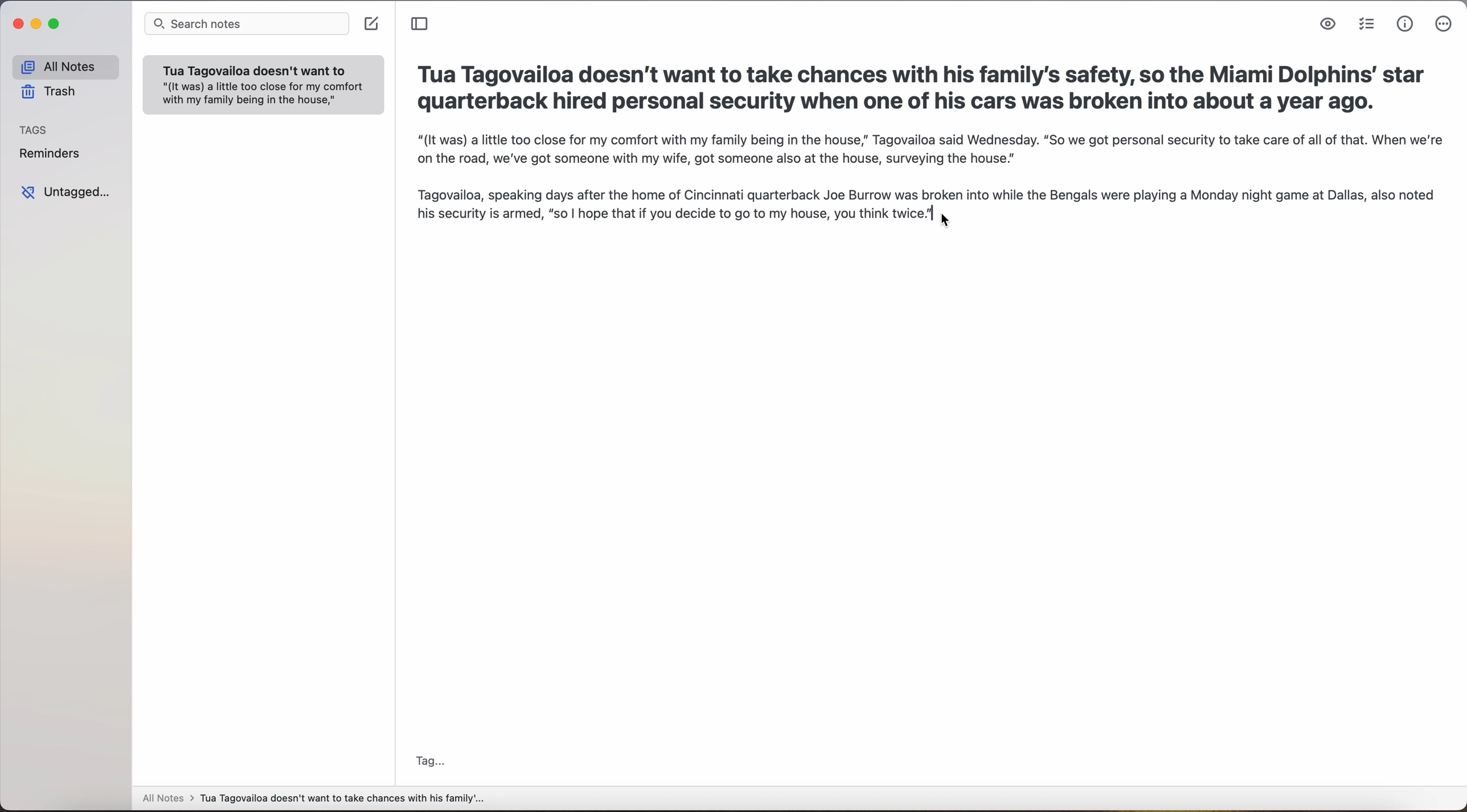  I want to click on markdown, so click(1329, 25).